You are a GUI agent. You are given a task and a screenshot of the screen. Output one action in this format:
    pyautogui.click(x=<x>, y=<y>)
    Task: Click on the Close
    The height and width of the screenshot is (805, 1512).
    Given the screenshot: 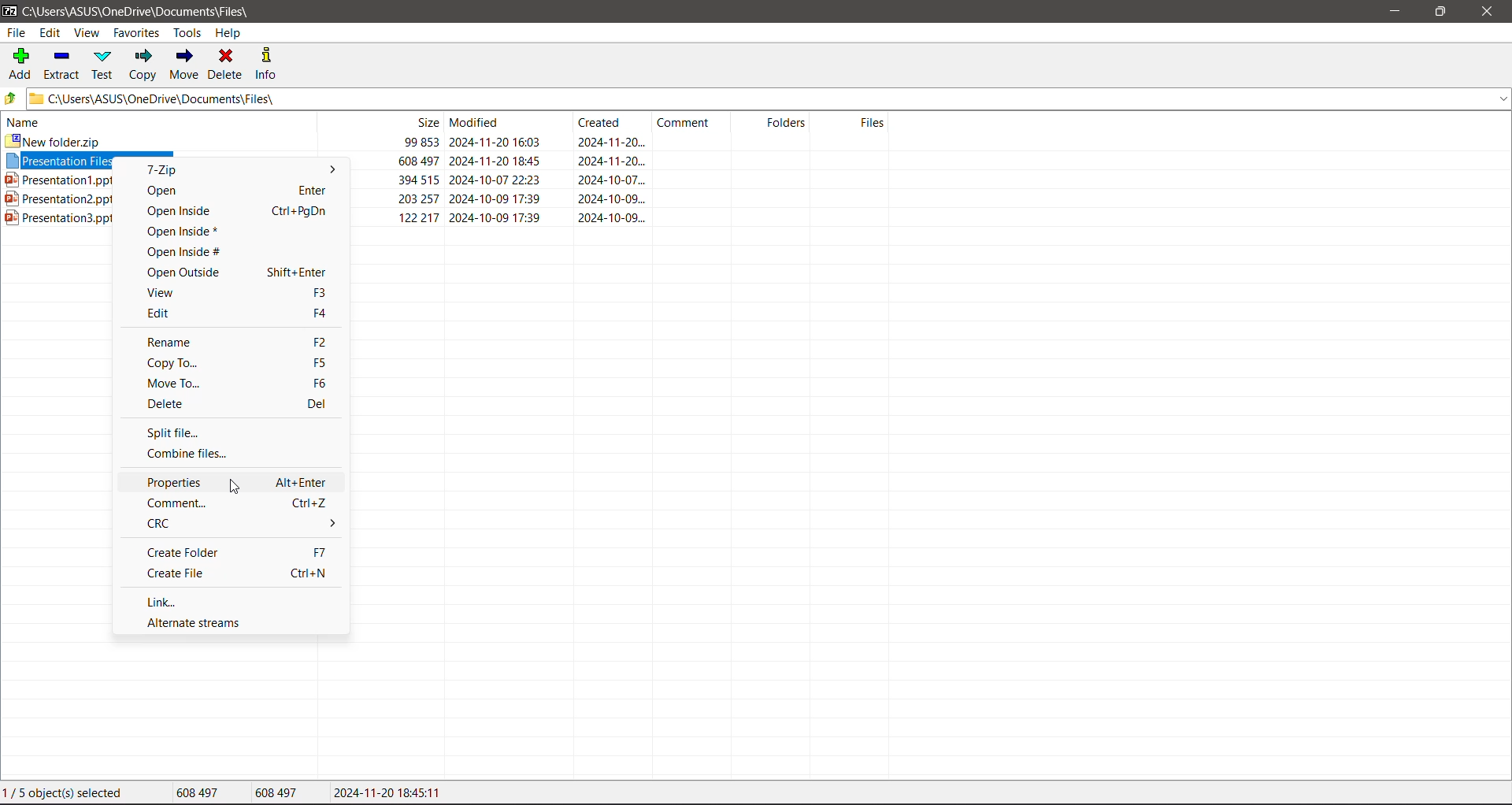 What is the action you would take?
    pyautogui.click(x=1488, y=11)
    